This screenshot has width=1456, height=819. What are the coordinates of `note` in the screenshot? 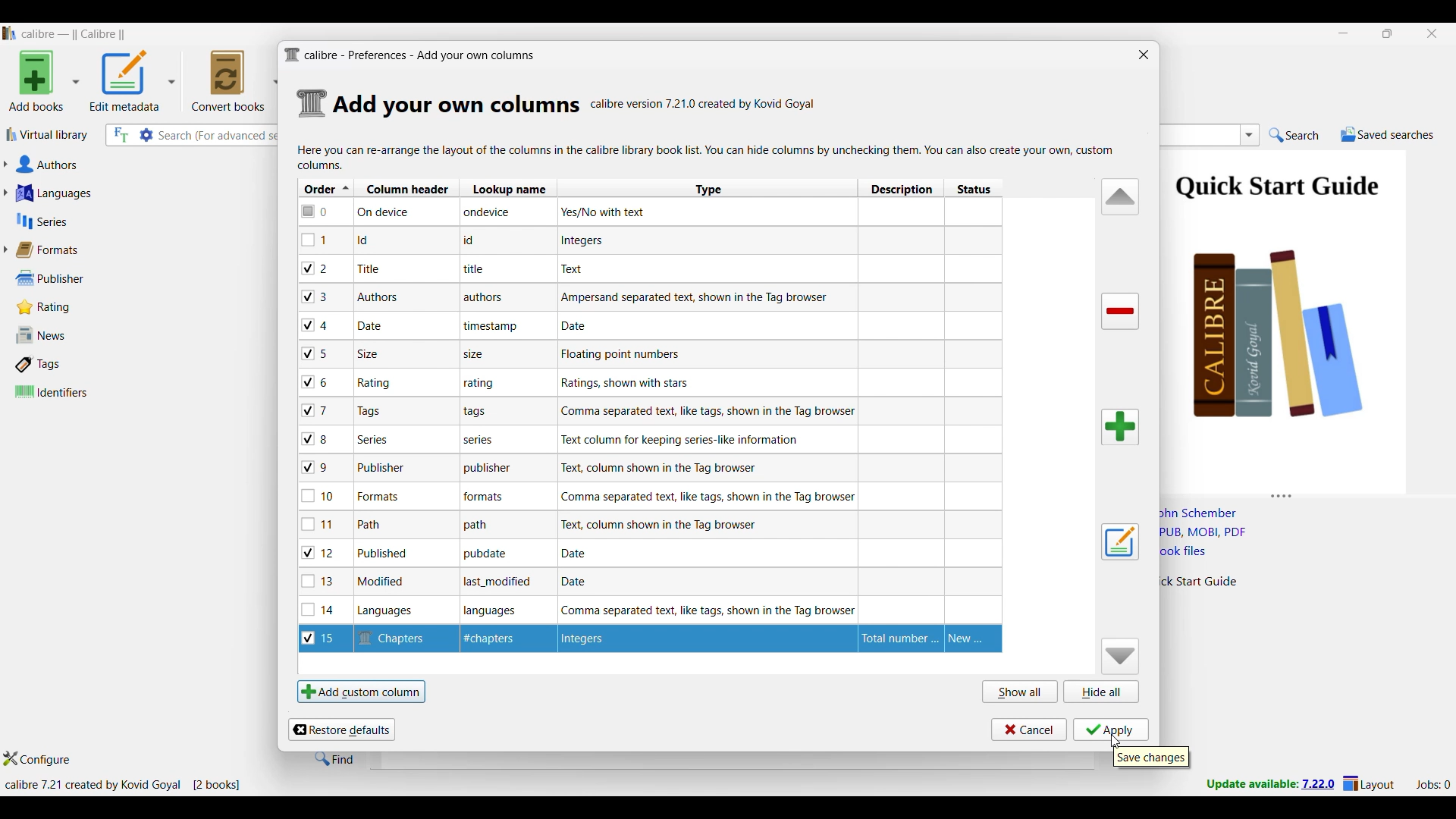 It's located at (485, 555).